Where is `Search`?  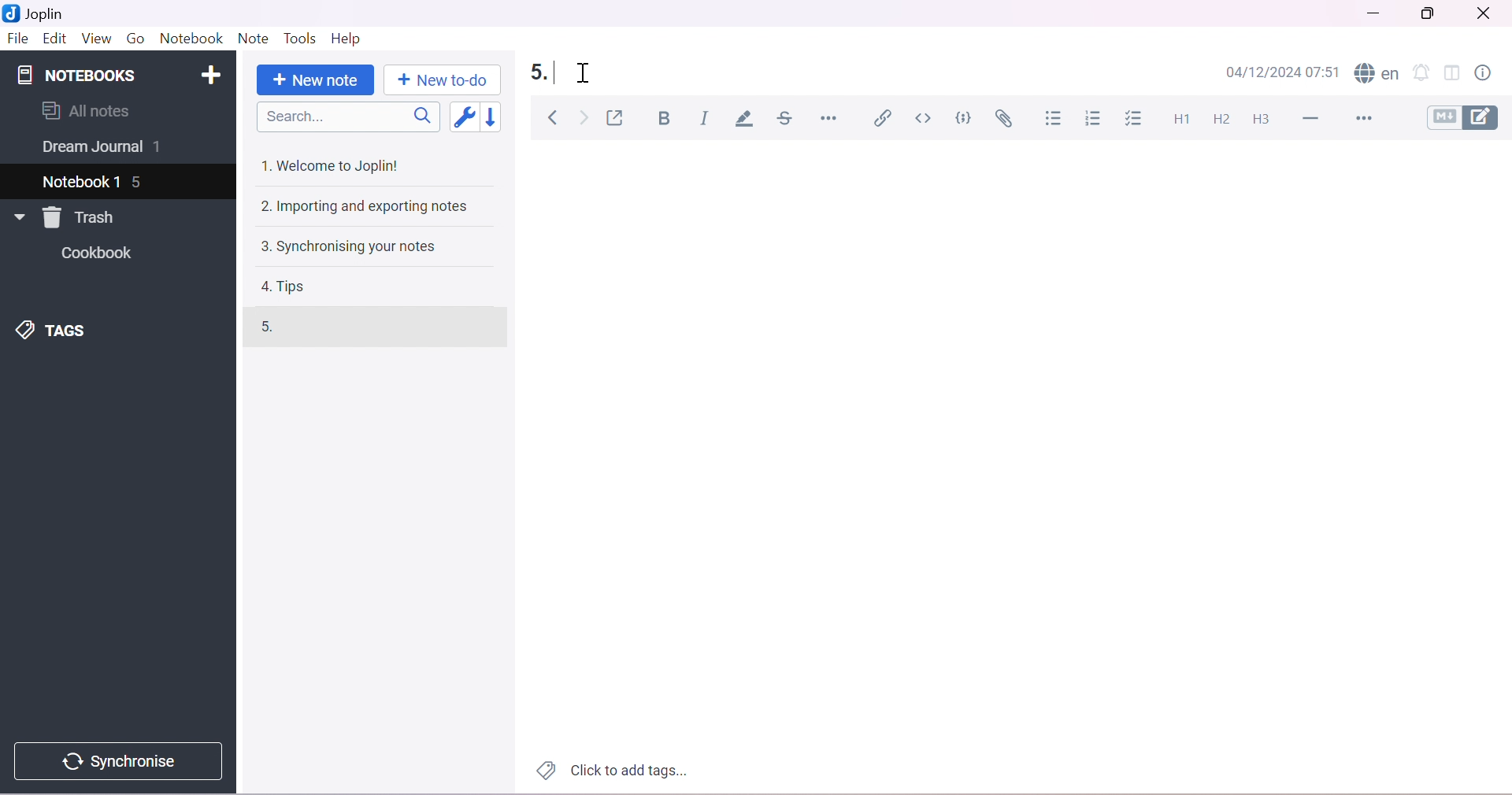
Search is located at coordinates (353, 117).